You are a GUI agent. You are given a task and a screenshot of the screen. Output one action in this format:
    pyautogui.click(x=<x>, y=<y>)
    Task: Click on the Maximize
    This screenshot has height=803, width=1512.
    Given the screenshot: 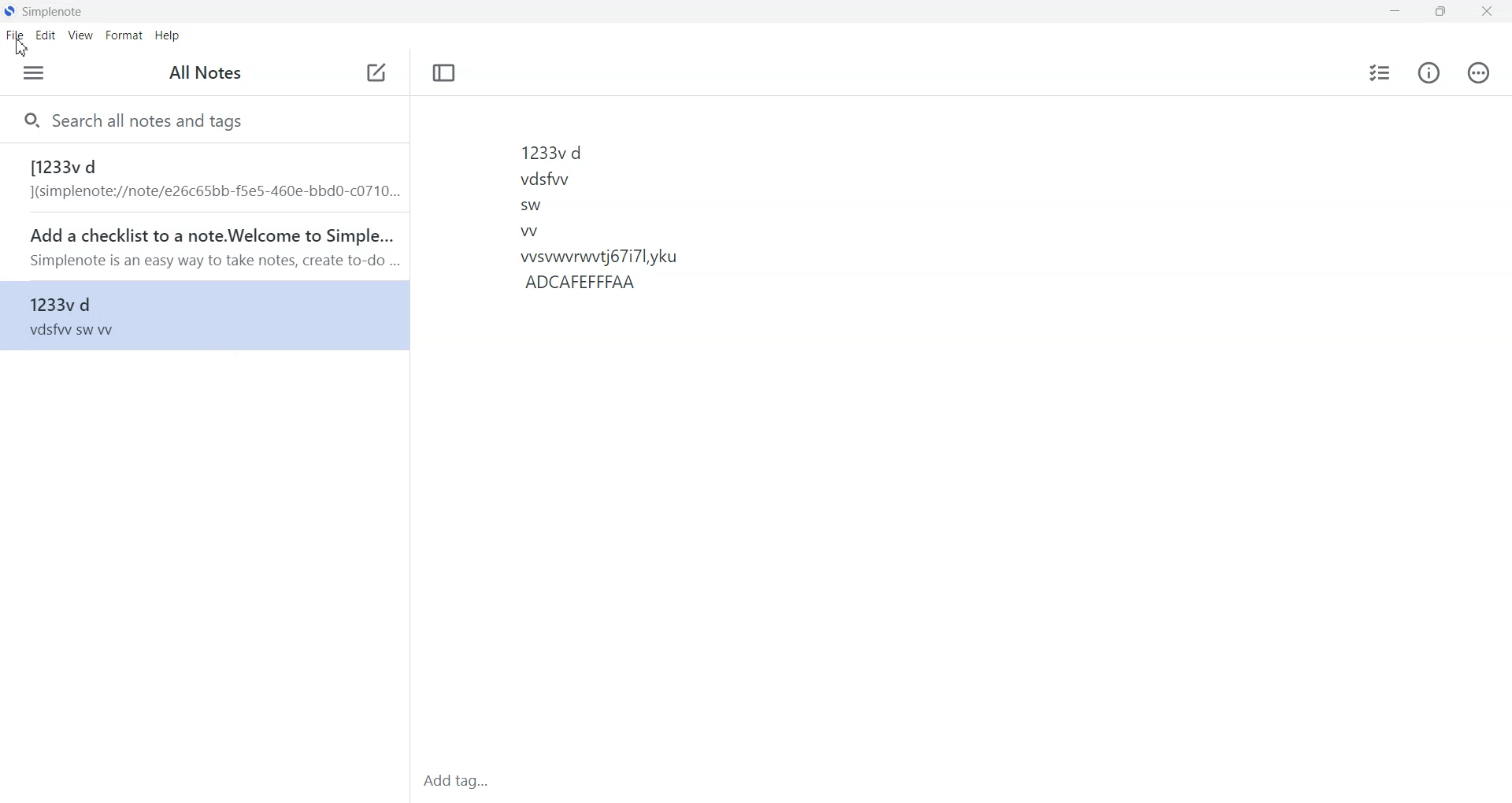 What is the action you would take?
    pyautogui.click(x=1439, y=12)
    